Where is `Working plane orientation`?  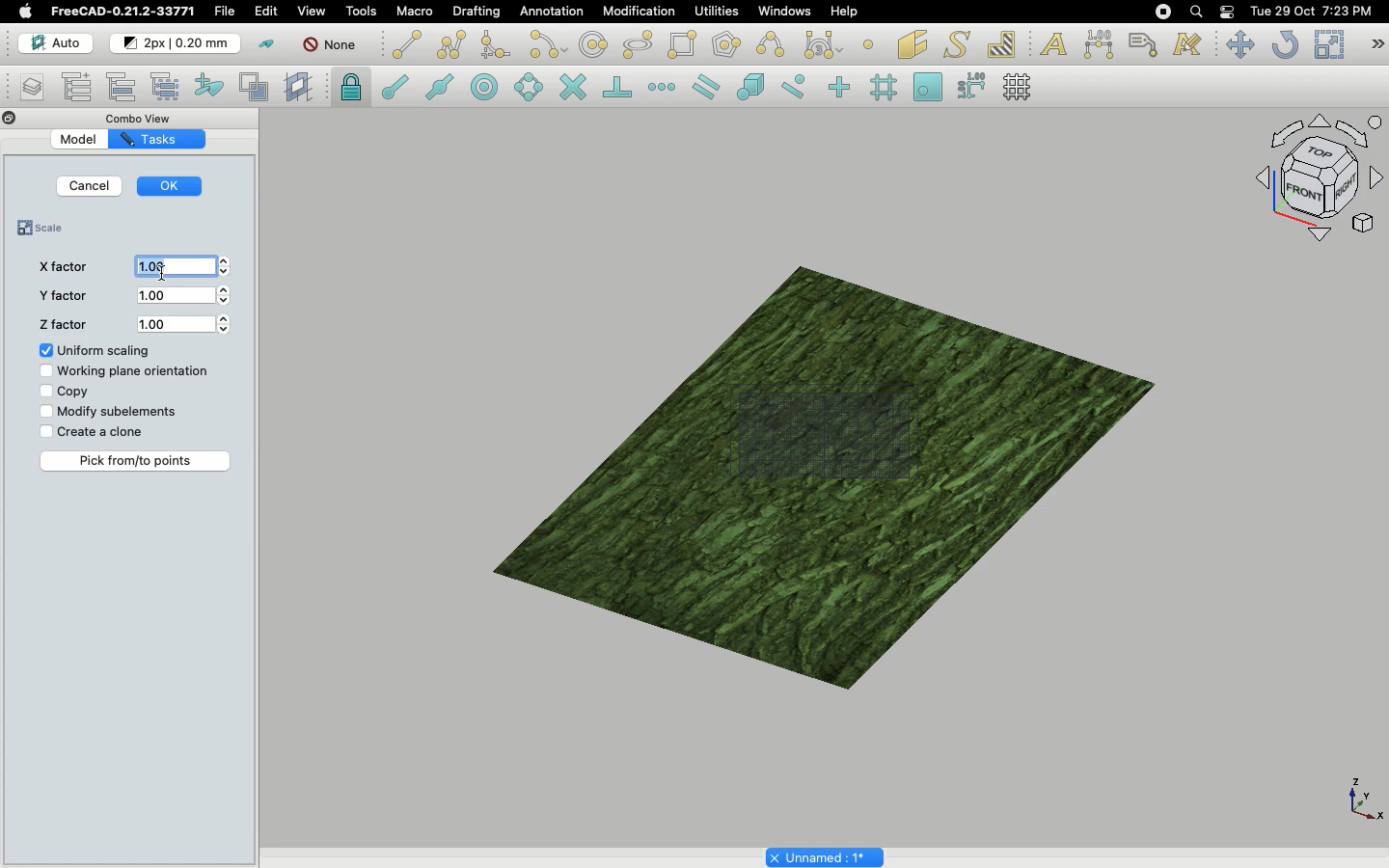 Working plane orientation is located at coordinates (124, 373).